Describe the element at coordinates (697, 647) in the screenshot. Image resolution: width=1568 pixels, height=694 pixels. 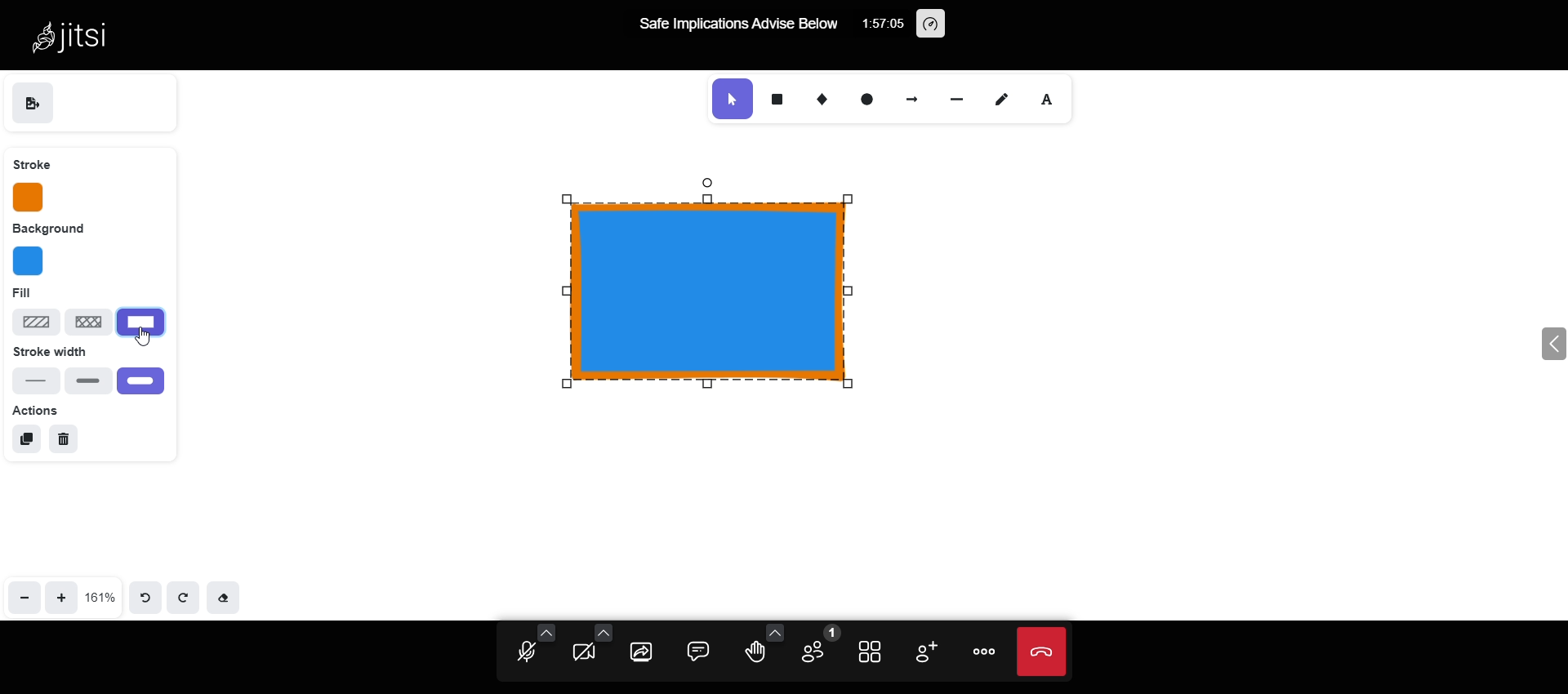
I see `comment box` at that location.